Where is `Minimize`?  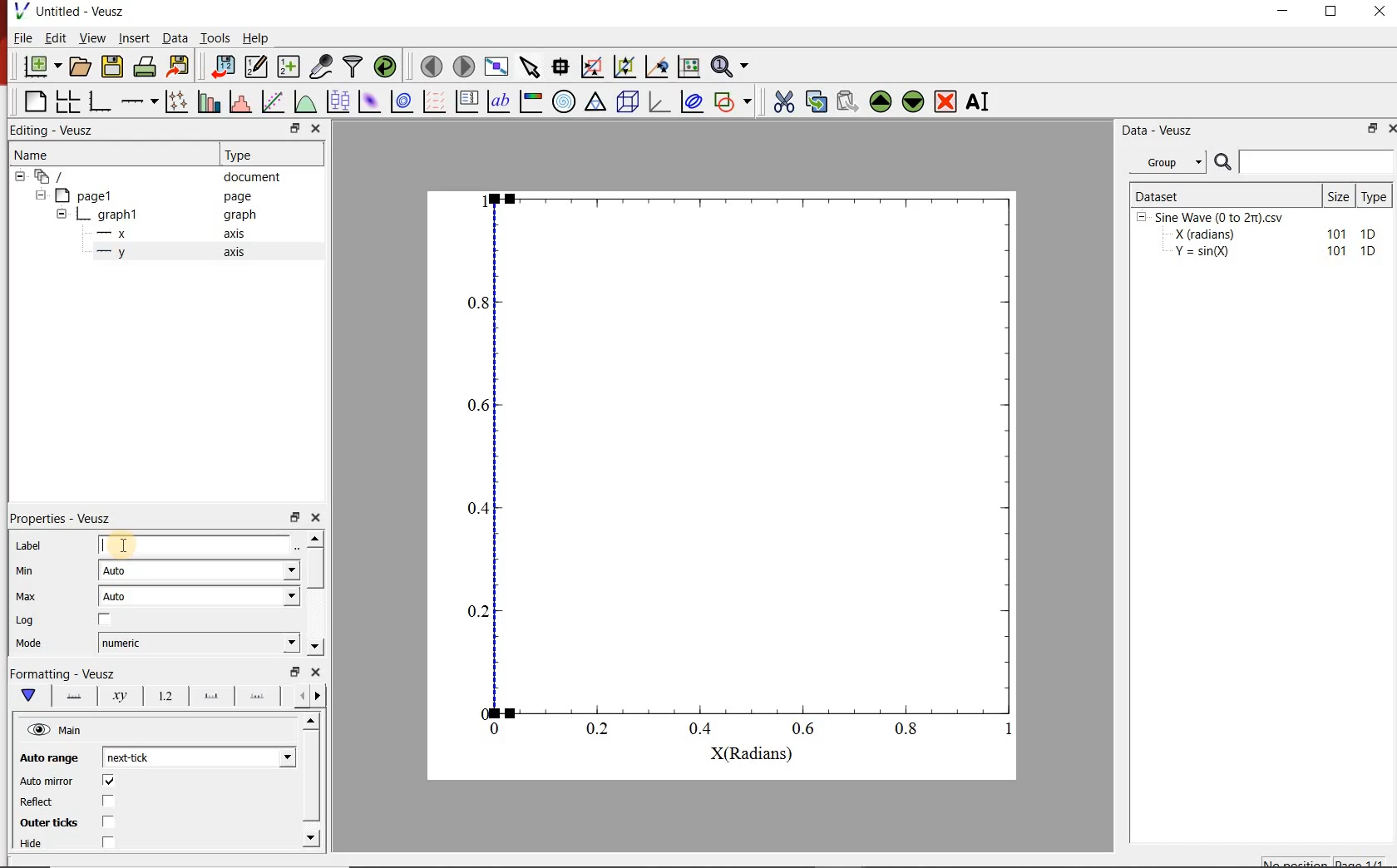 Minimize is located at coordinates (1282, 12).